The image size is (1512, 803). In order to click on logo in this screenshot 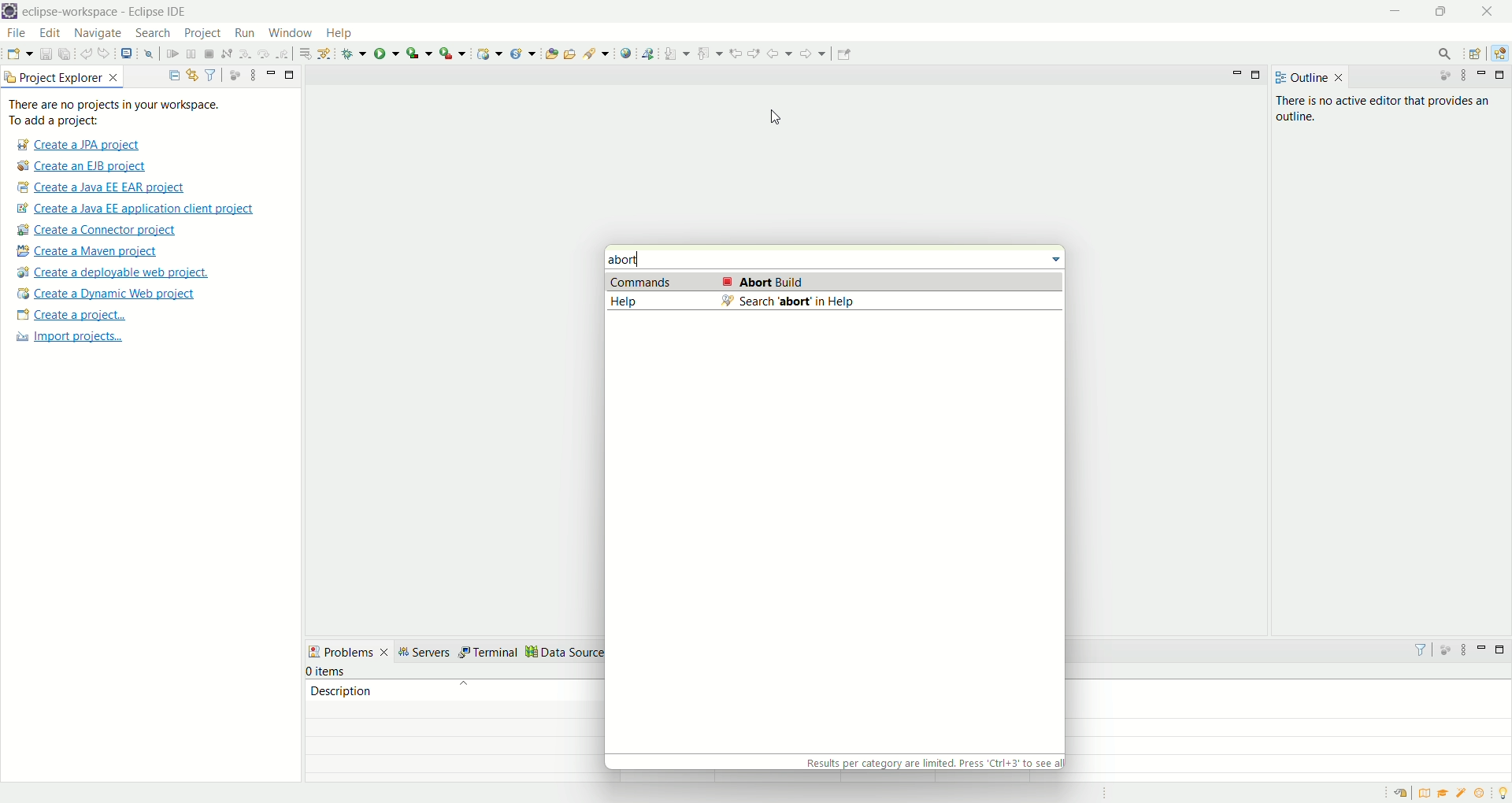, I will do `click(10, 11)`.